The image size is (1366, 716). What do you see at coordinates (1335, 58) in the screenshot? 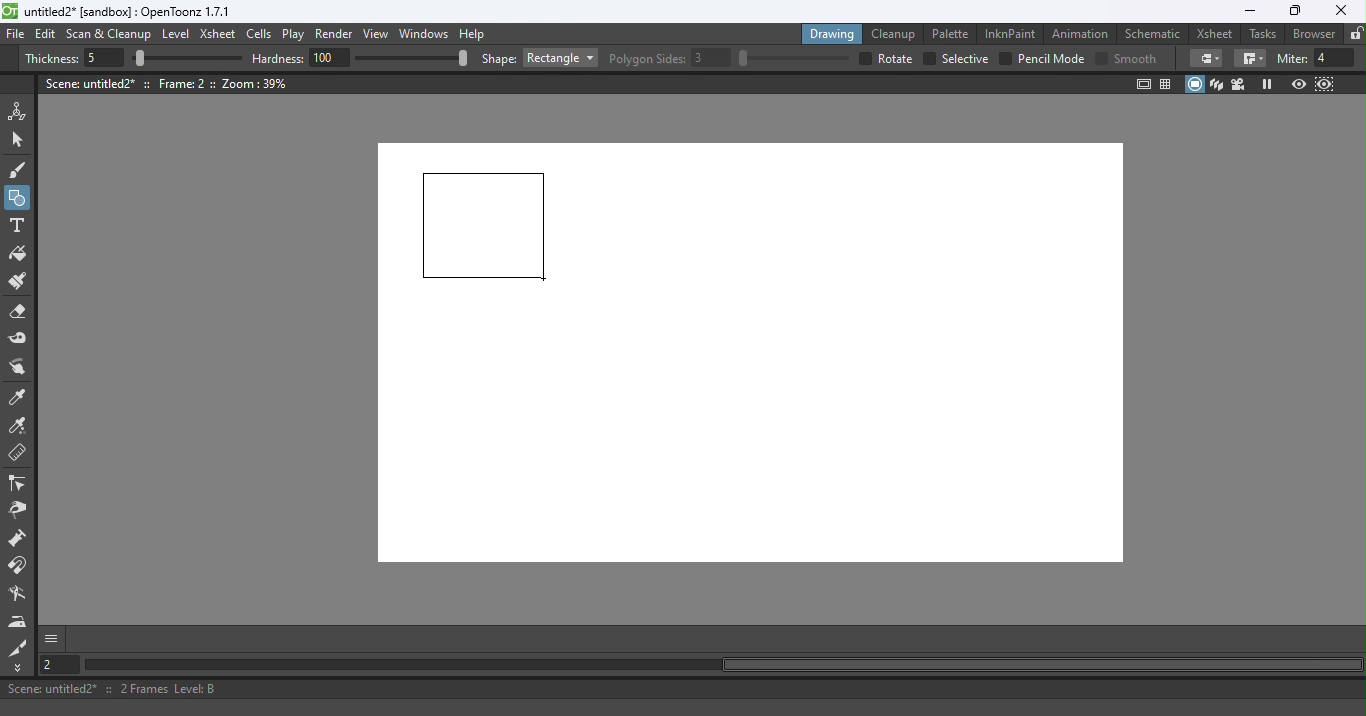
I see `4` at bounding box center [1335, 58].